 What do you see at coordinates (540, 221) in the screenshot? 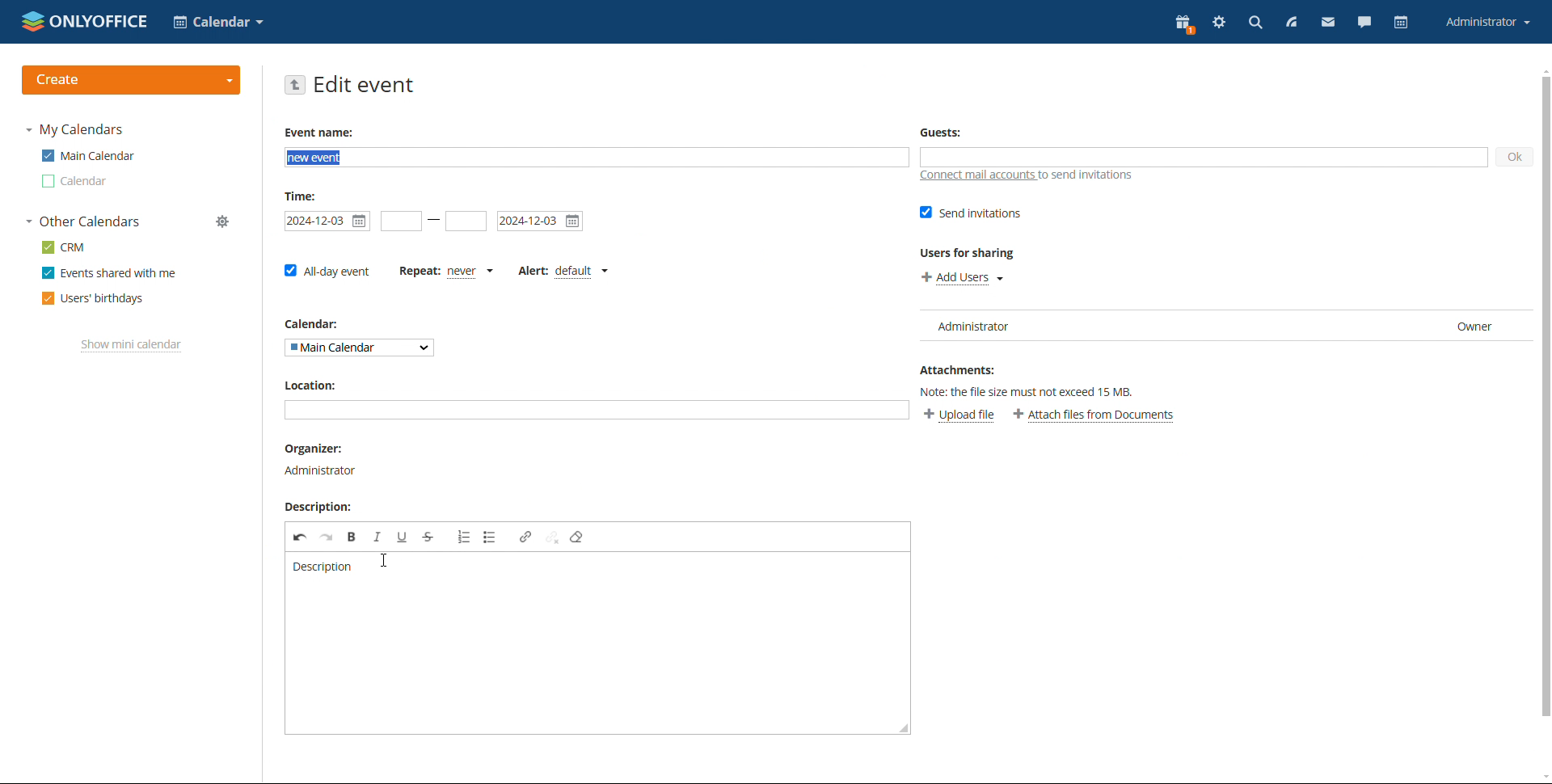
I see `end date` at bounding box center [540, 221].